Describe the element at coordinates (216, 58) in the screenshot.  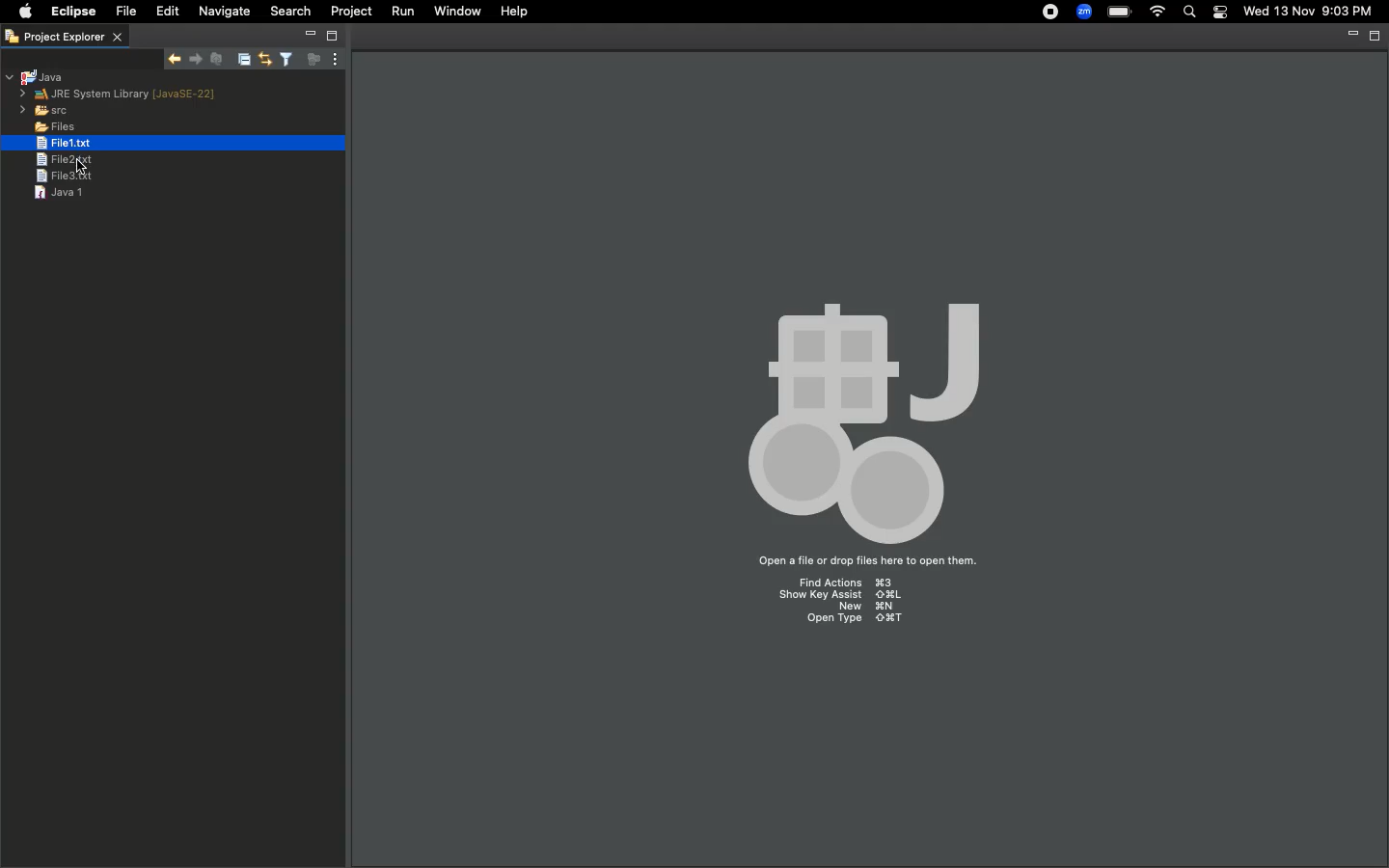
I see `Remove selected matches` at that location.